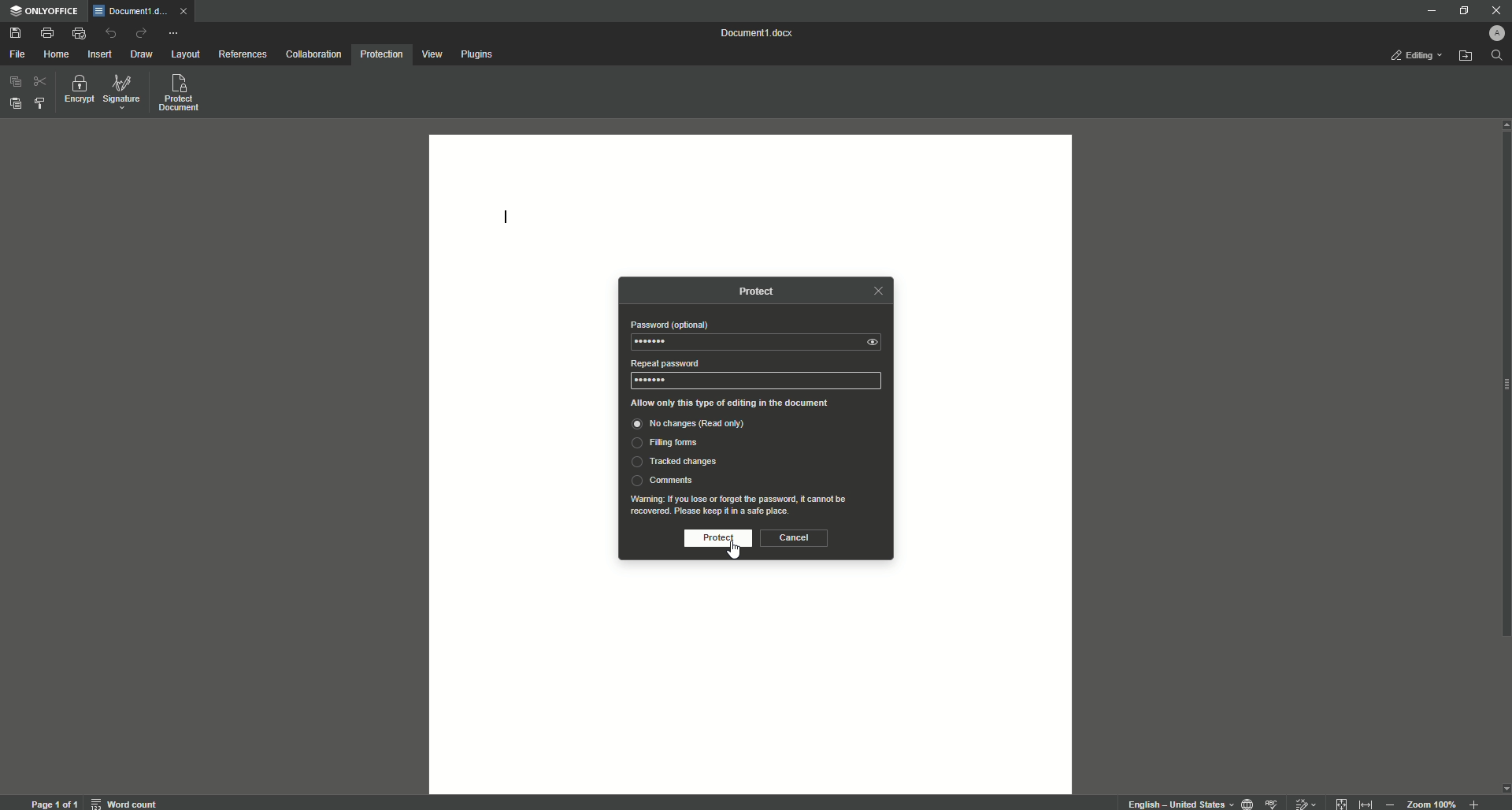 This screenshot has width=1512, height=810. I want to click on Layout, so click(187, 55).